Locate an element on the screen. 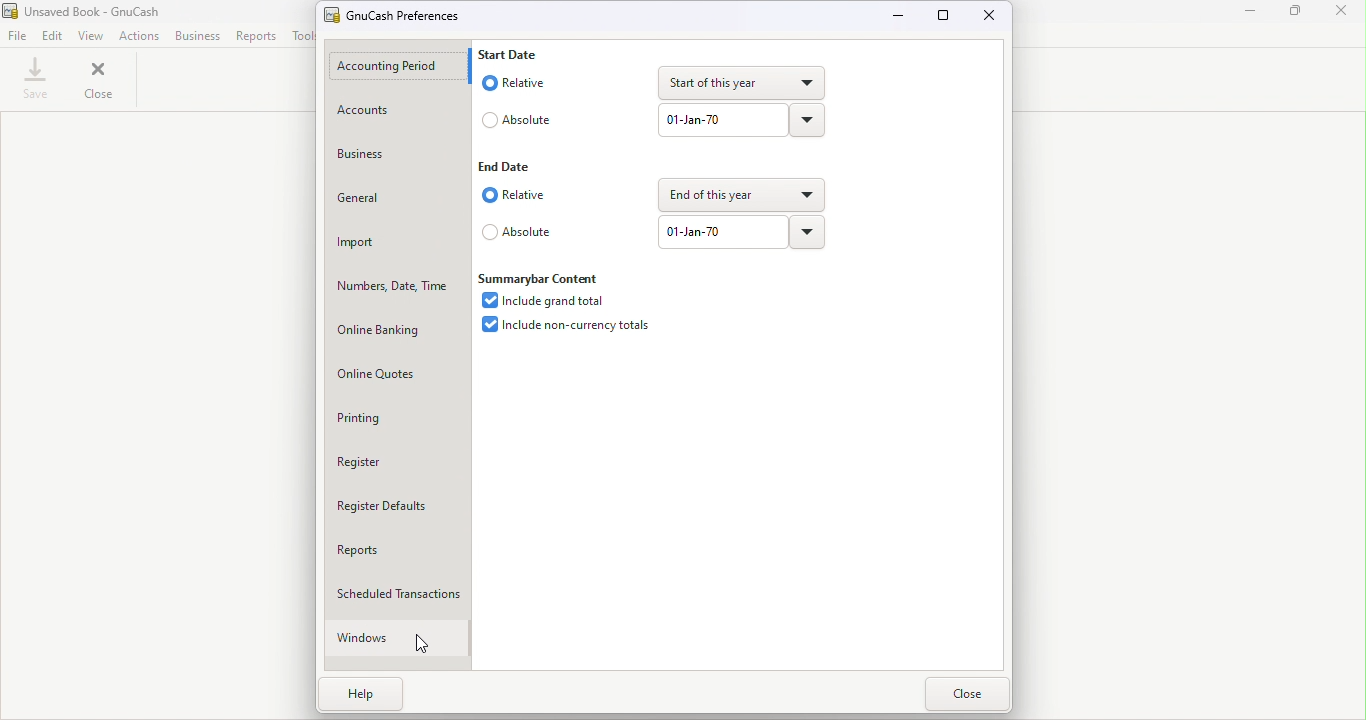  Close is located at coordinates (987, 17).